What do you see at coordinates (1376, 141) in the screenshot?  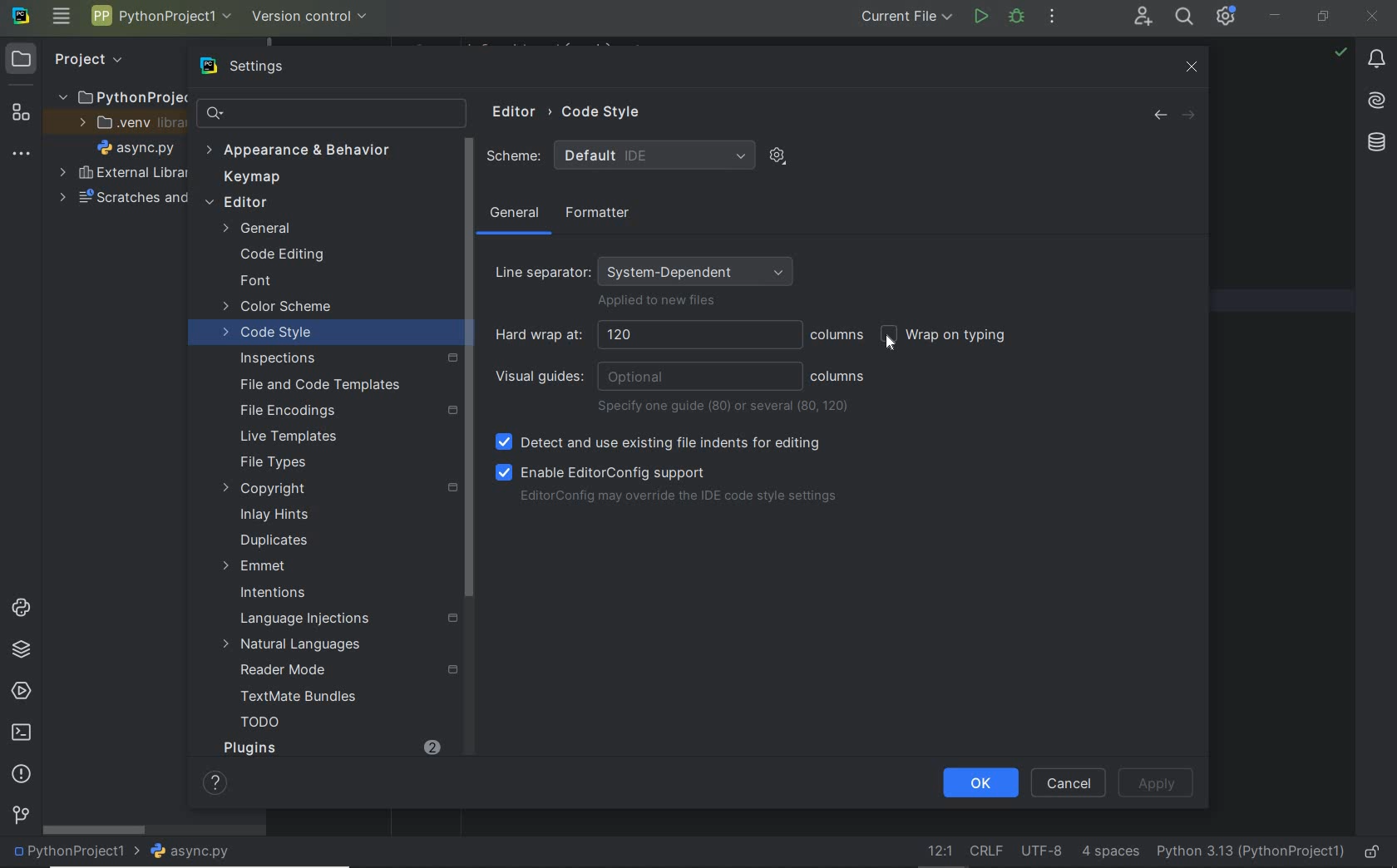 I see `Database` at bounding box center [1376, 141].